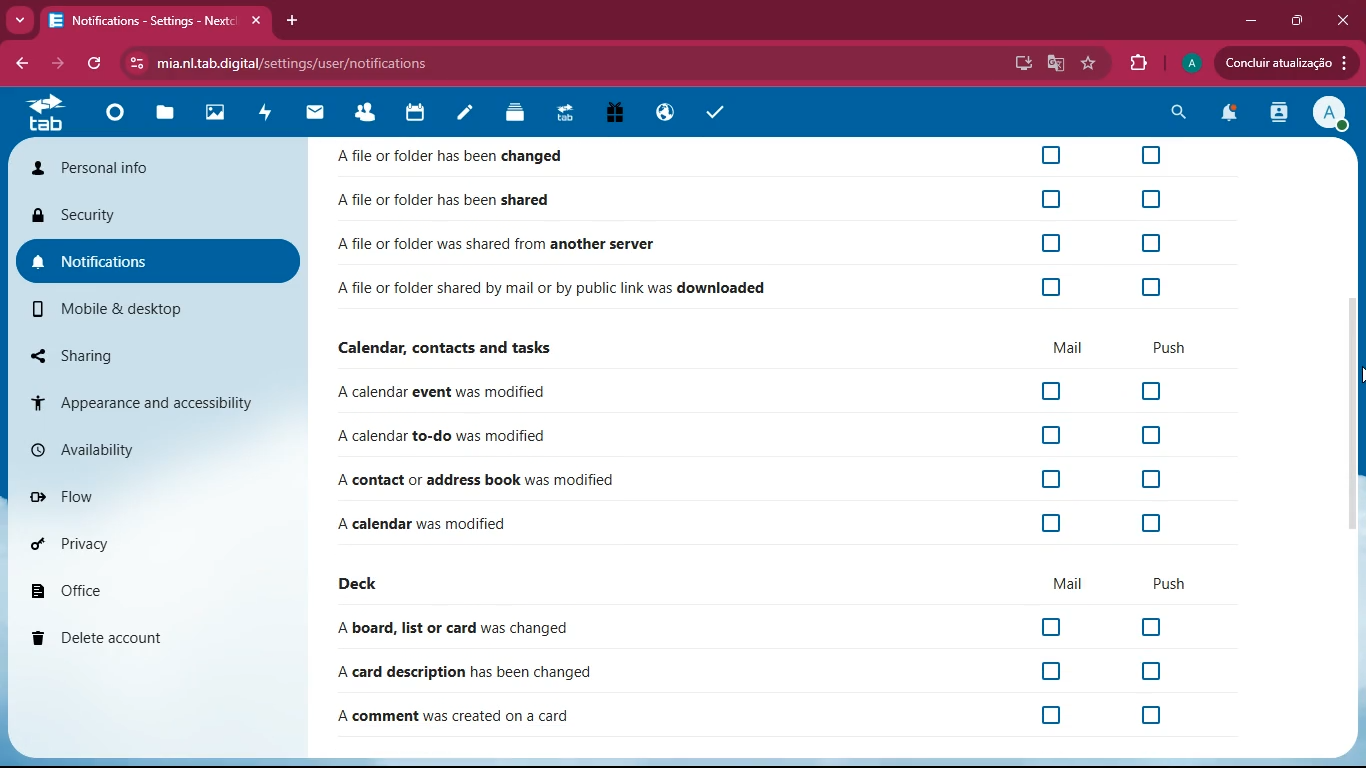 The height and width of the screenshot is (768, 1366). What do you see at coordinates (1048, 393) in the screenshot?
I see `off` at bounding box center [1048, 393].